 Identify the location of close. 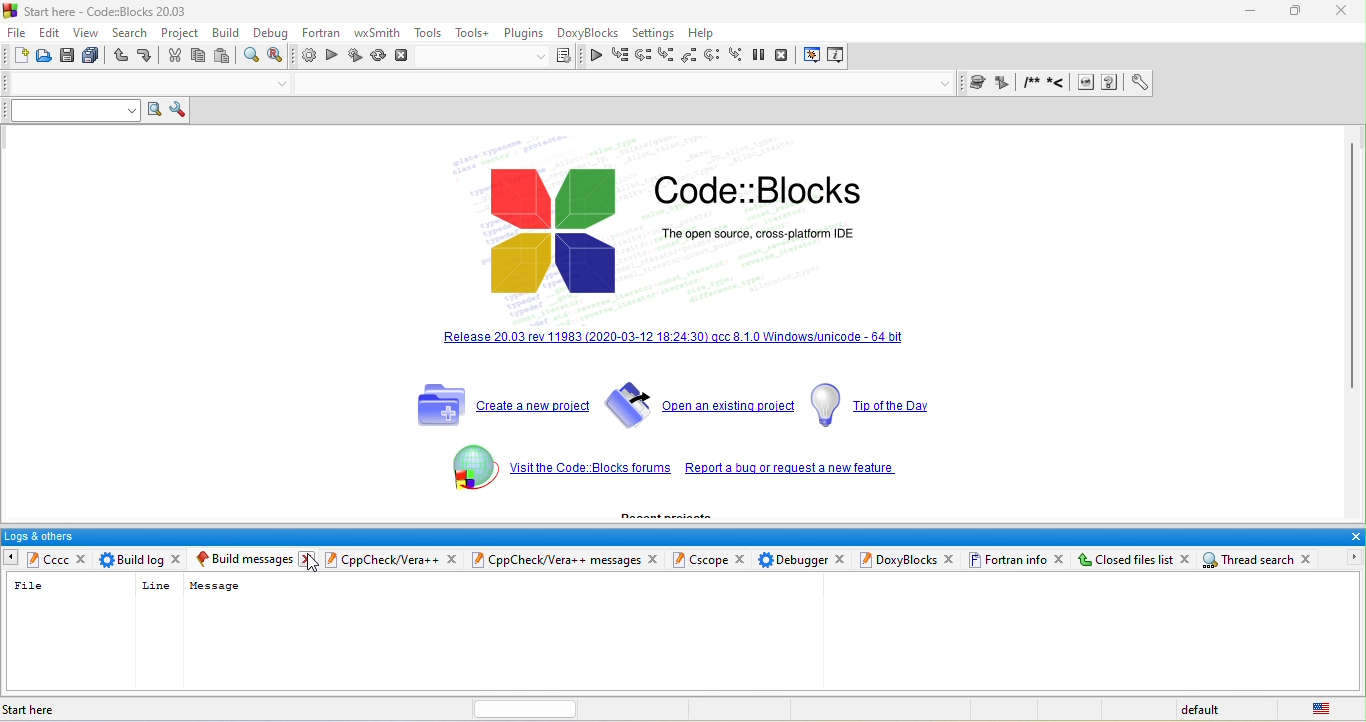
(842, 559).